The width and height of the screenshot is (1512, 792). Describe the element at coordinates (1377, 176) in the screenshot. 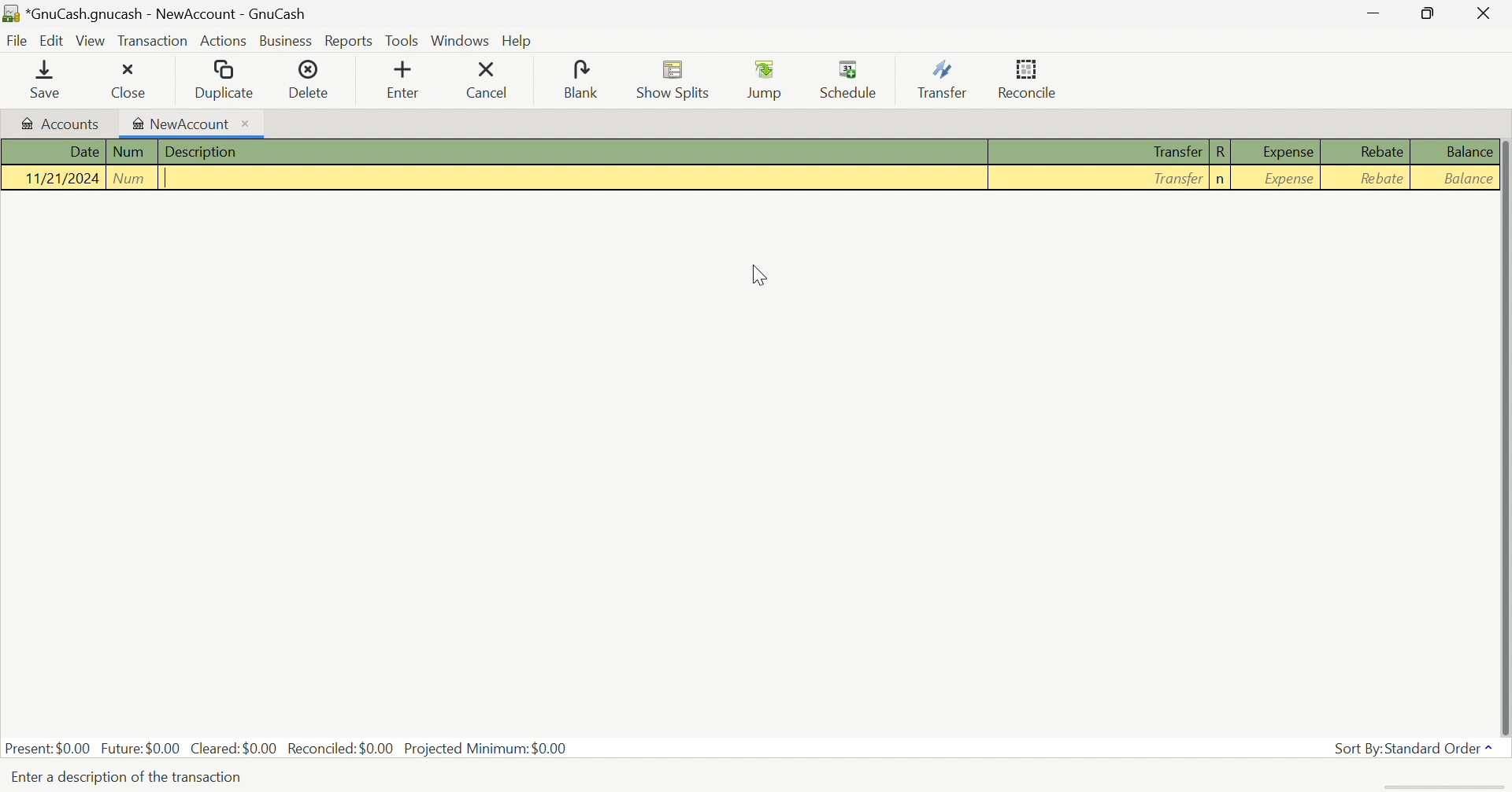

I see `rebate` at that location.